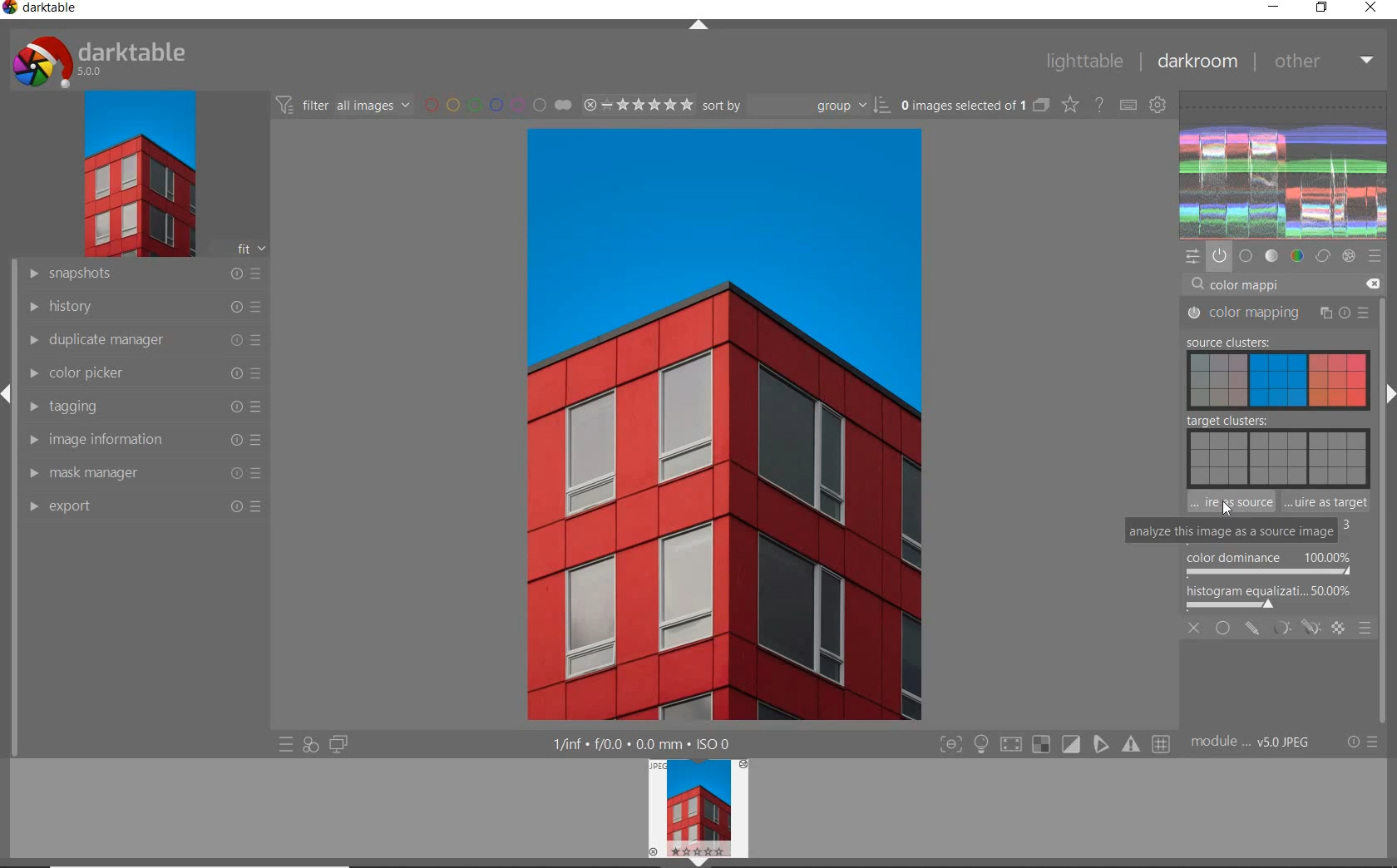 The height and width of the screenshot is (868, 1397). I want to click on selected image range rating, so click(636, 104).